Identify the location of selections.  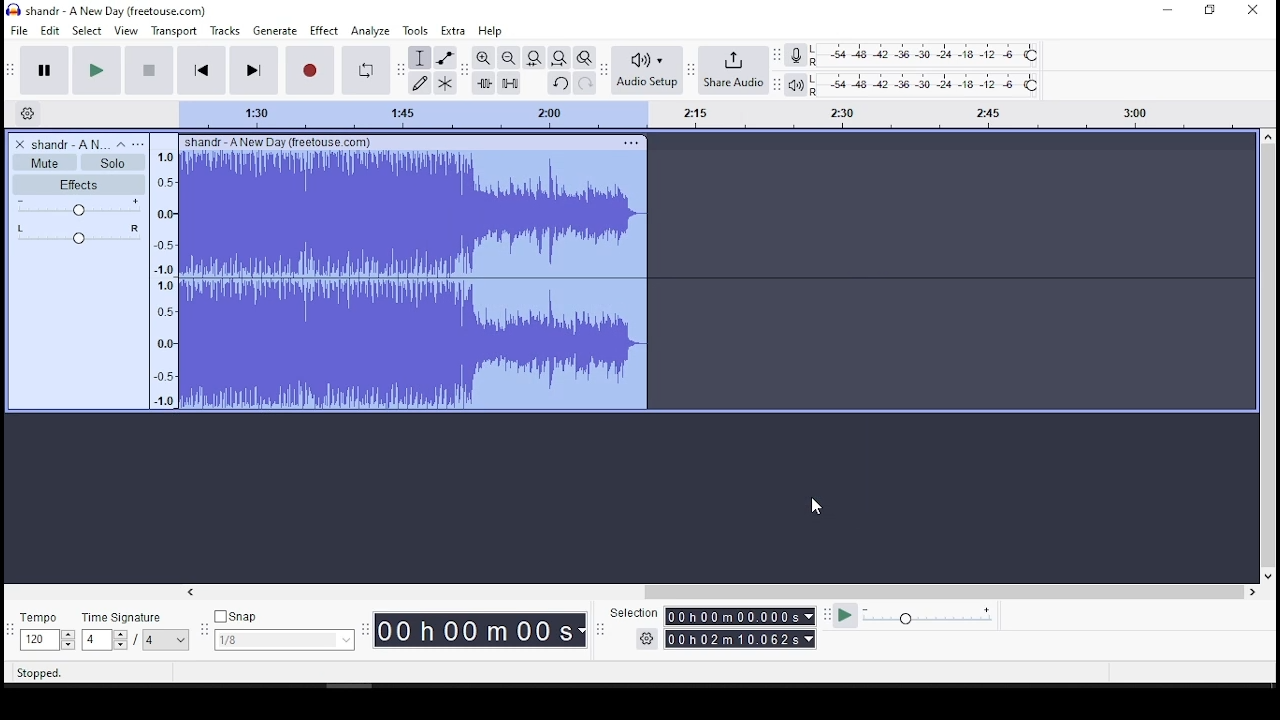
(716, 627).